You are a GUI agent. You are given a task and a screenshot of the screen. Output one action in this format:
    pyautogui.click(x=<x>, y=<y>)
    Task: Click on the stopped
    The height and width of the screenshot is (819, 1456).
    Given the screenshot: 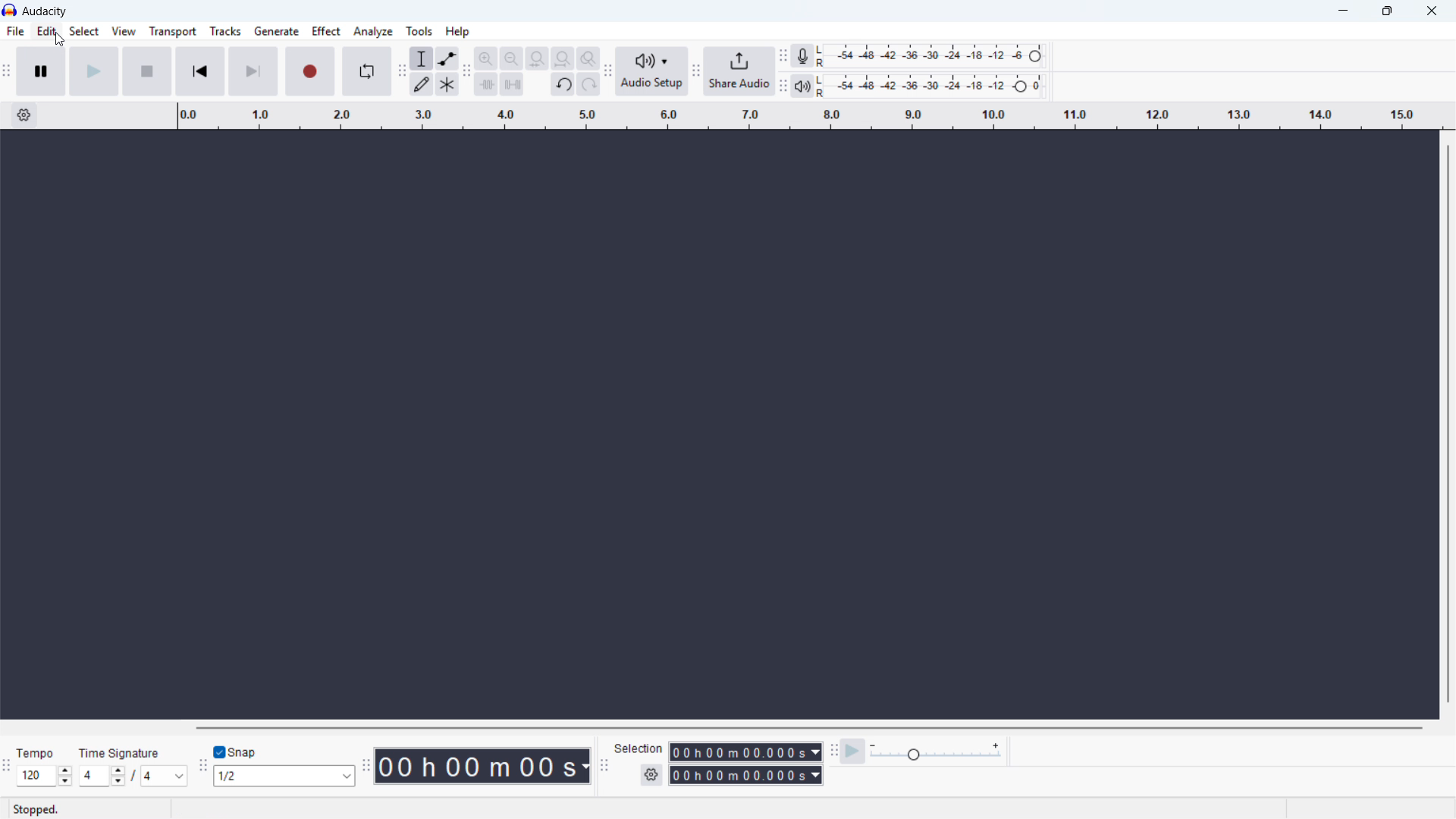 What is the action you would take?
    pyautogui.click(x=36, y=811)
    